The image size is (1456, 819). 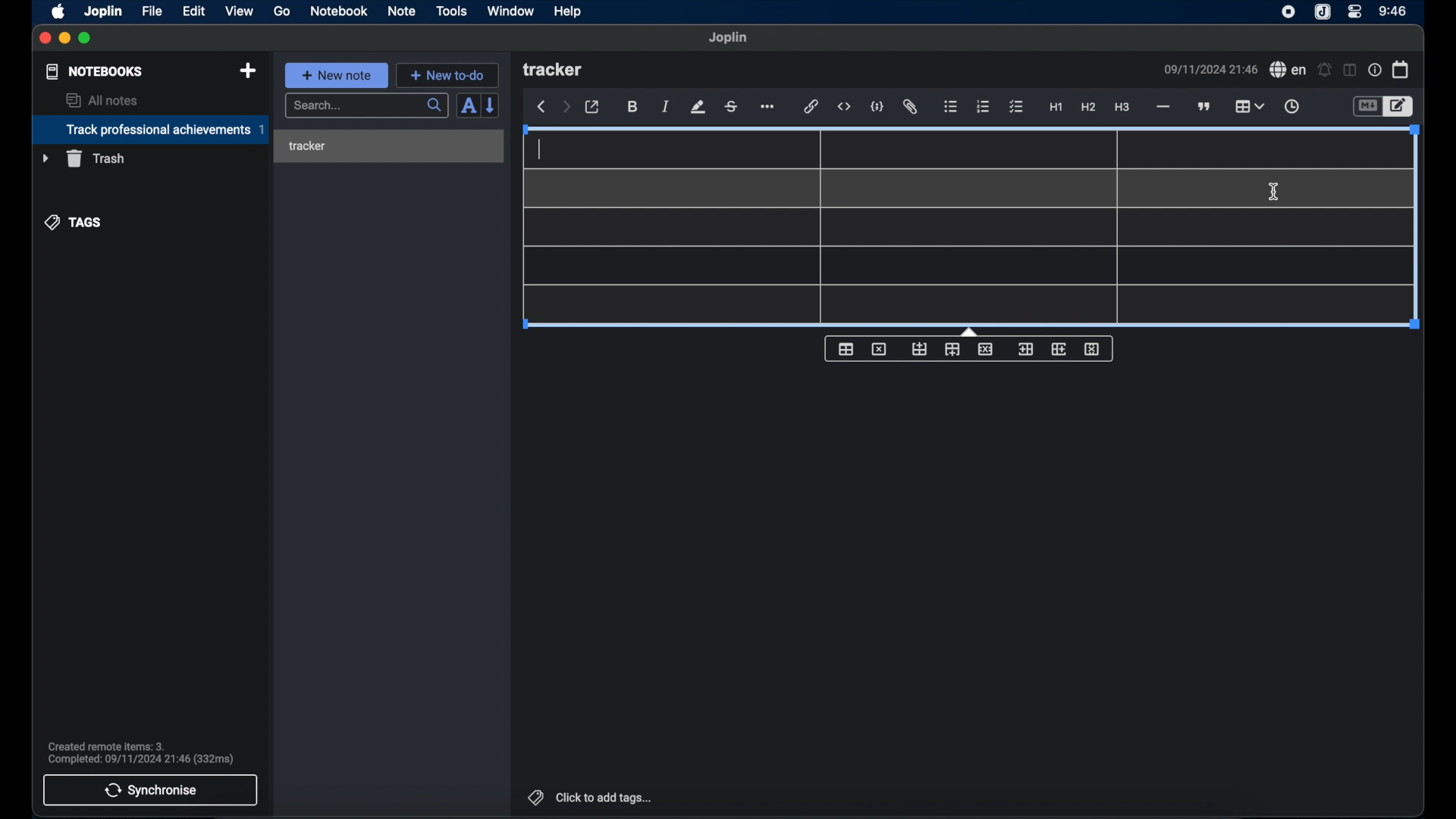 I want to click on toggle sort order field, so click(x=466, y=107).